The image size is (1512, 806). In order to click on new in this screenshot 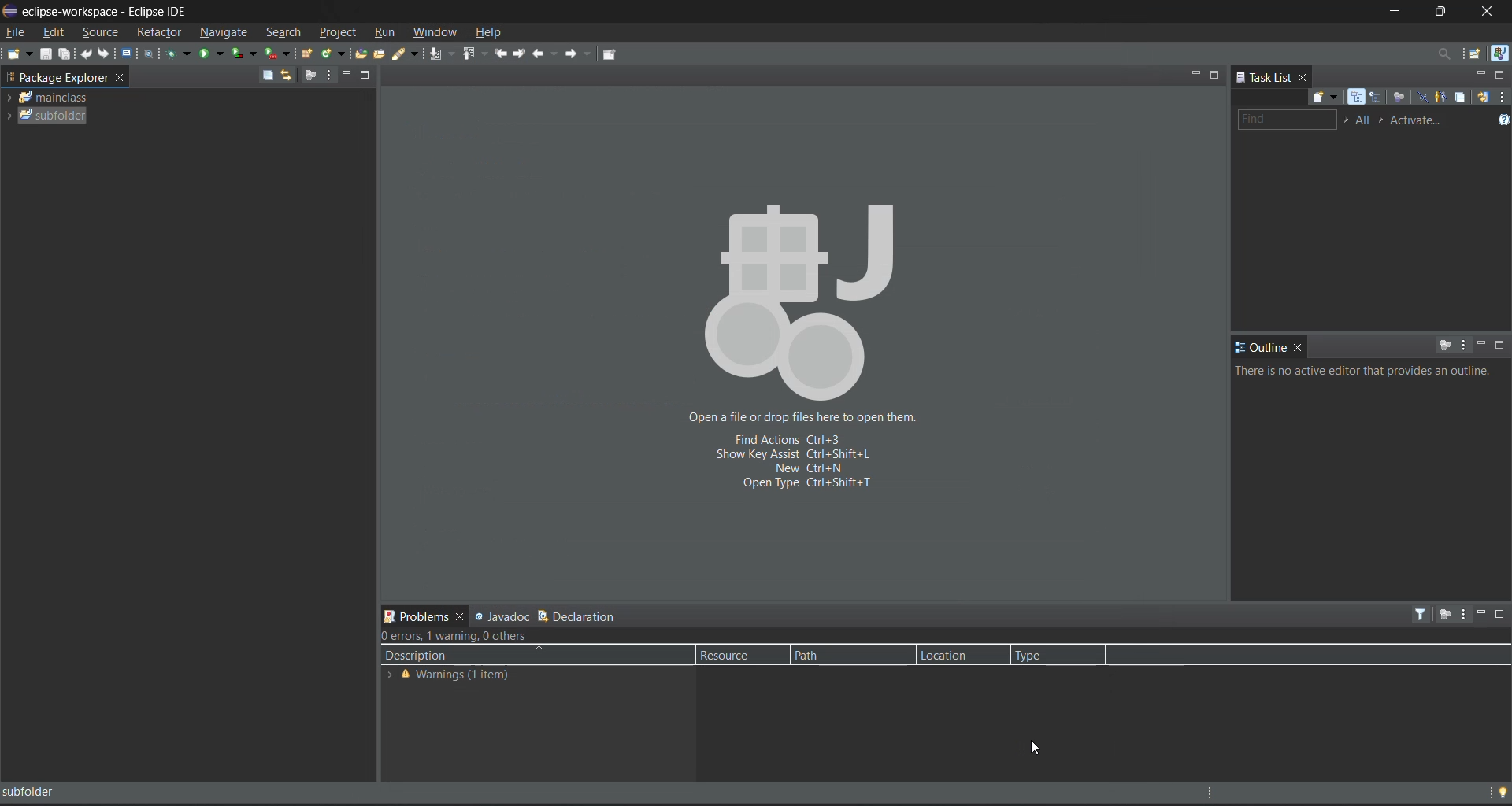, I will do `click(20, 54)`.